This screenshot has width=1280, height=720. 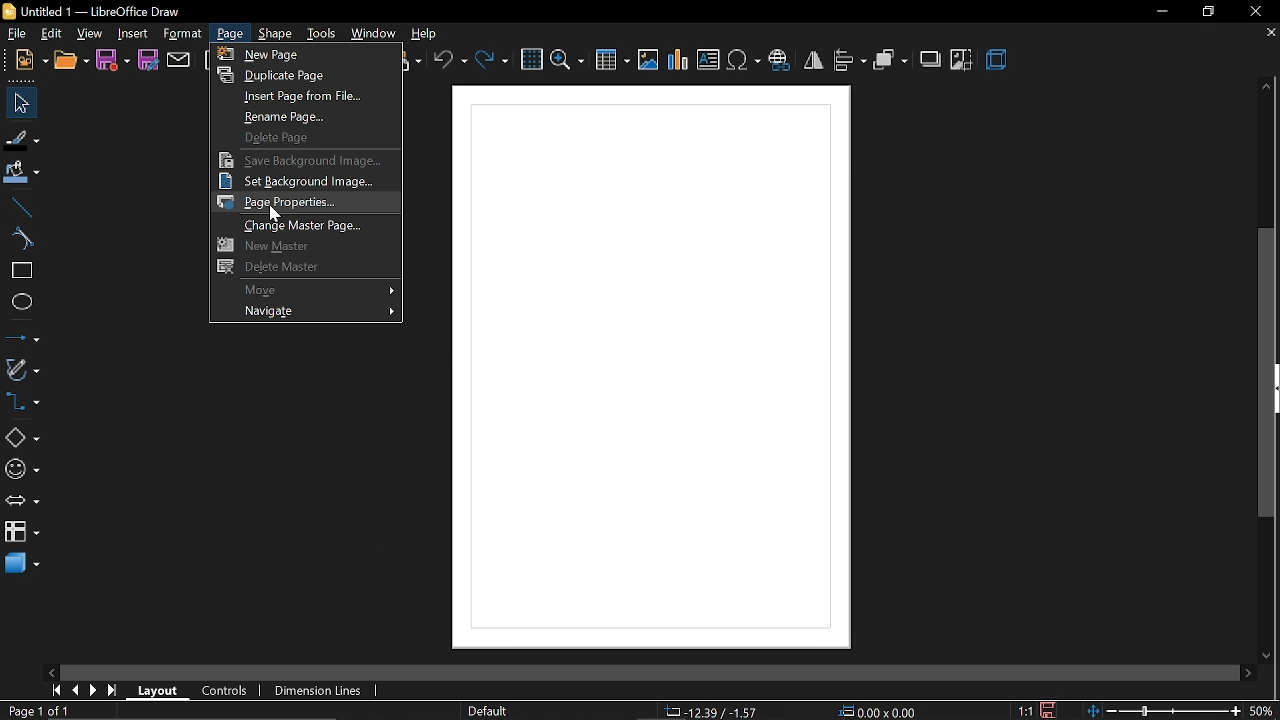 What do you see at coordinates (18, 35) in the screenshot?
I see `file` at bounding box center [18, 35].